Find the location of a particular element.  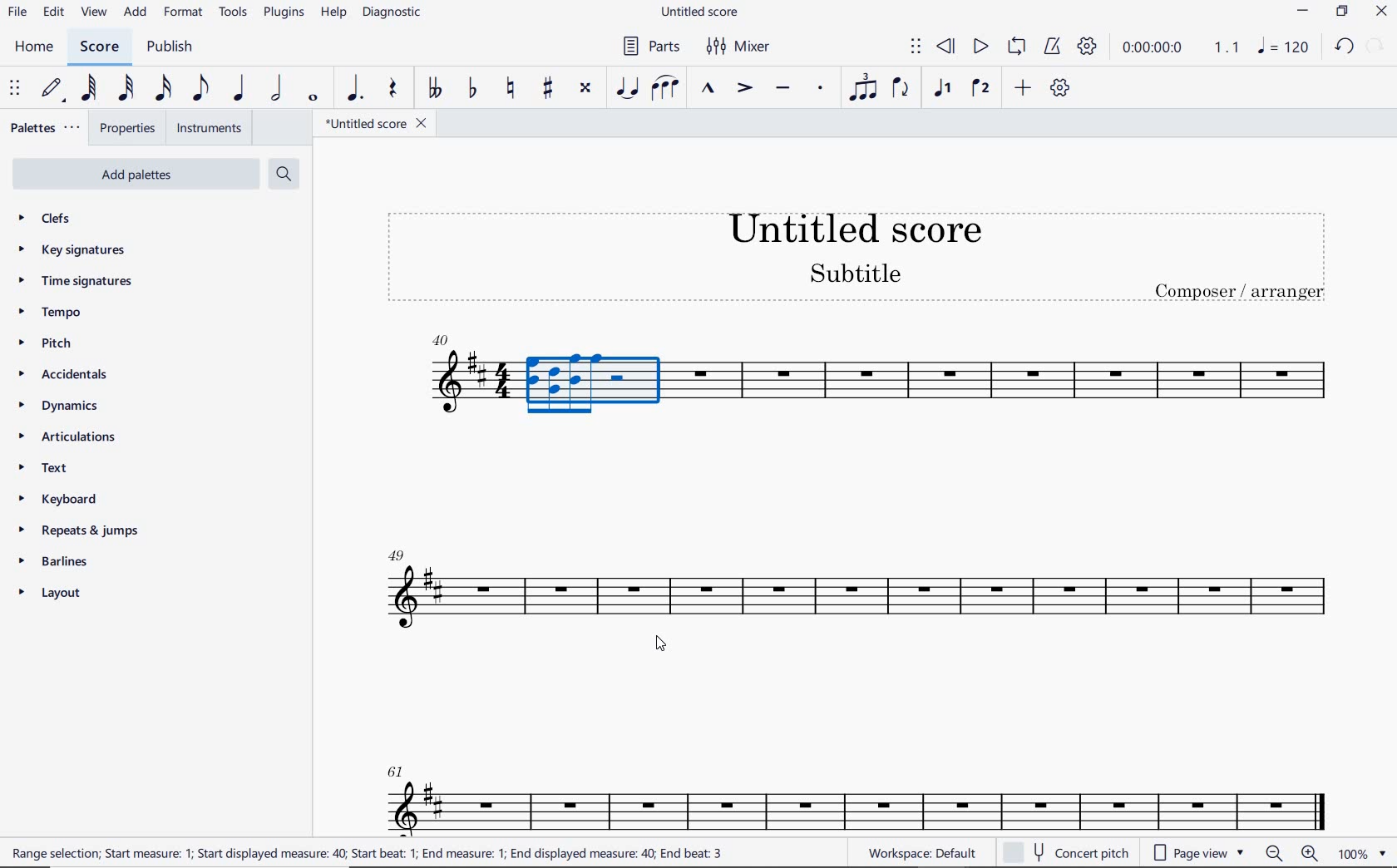

INSTRUMENT: TENOR SAXOPHONE is located at coordinates (857, 787).